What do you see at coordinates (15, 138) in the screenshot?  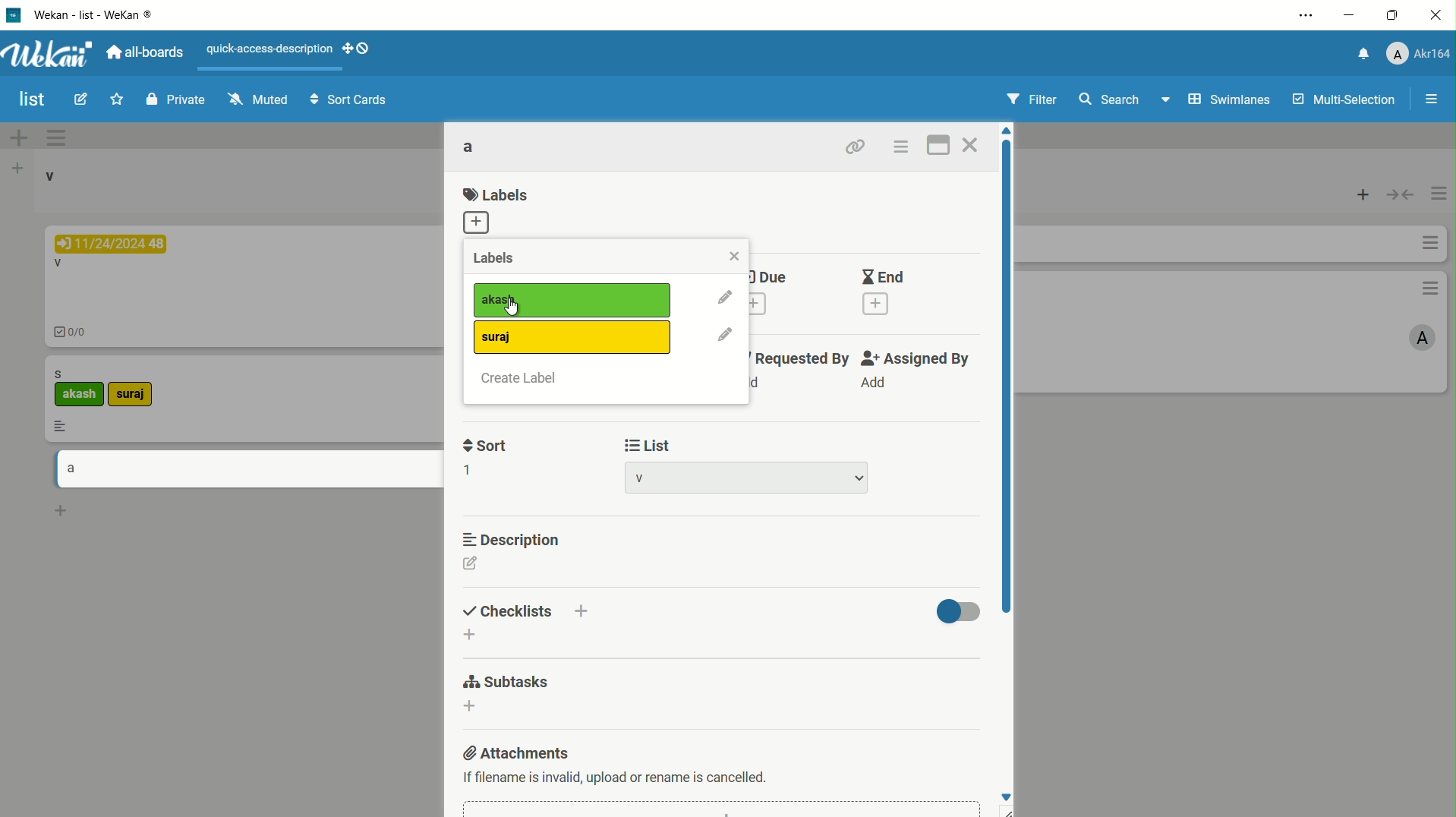 I see `add` at bounding box center [15, 138].